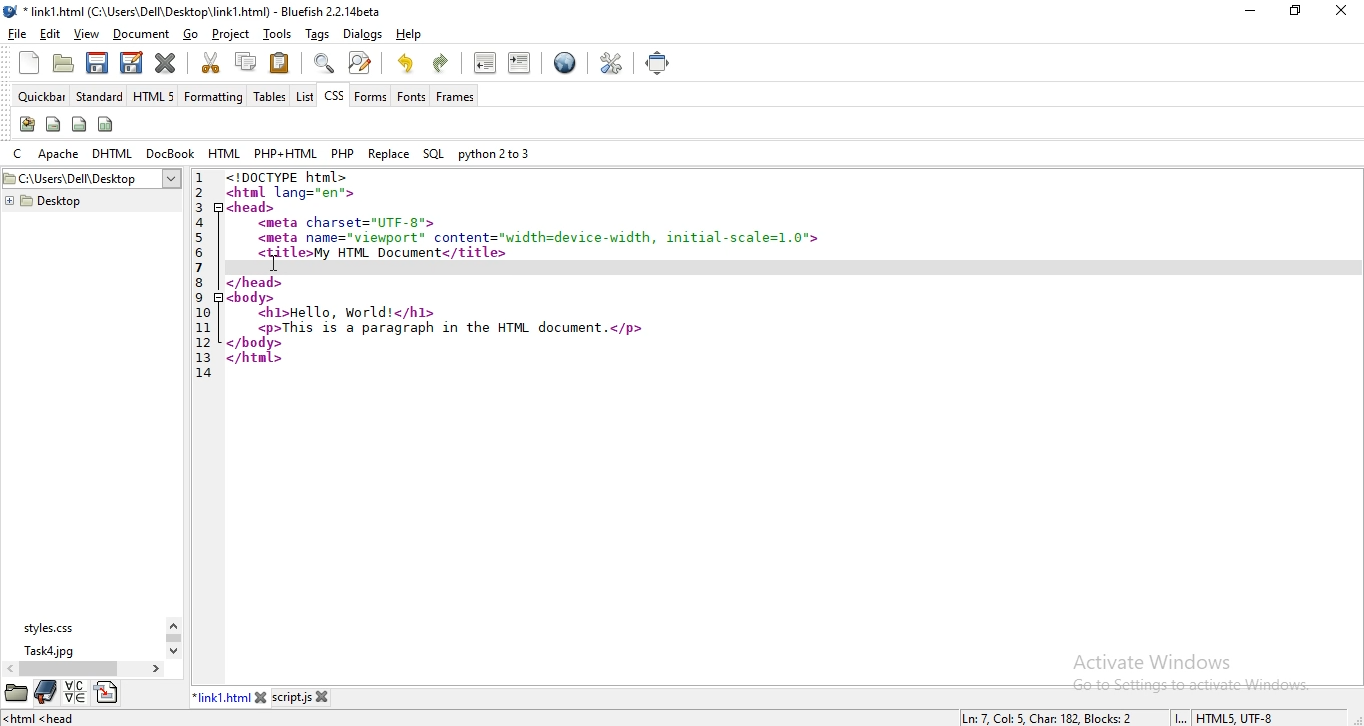 The image size is (1364, 726). What do you see at coordinates (40, 97) in the screenshot?
I see `quickbar` at bounding box center [40, 97].